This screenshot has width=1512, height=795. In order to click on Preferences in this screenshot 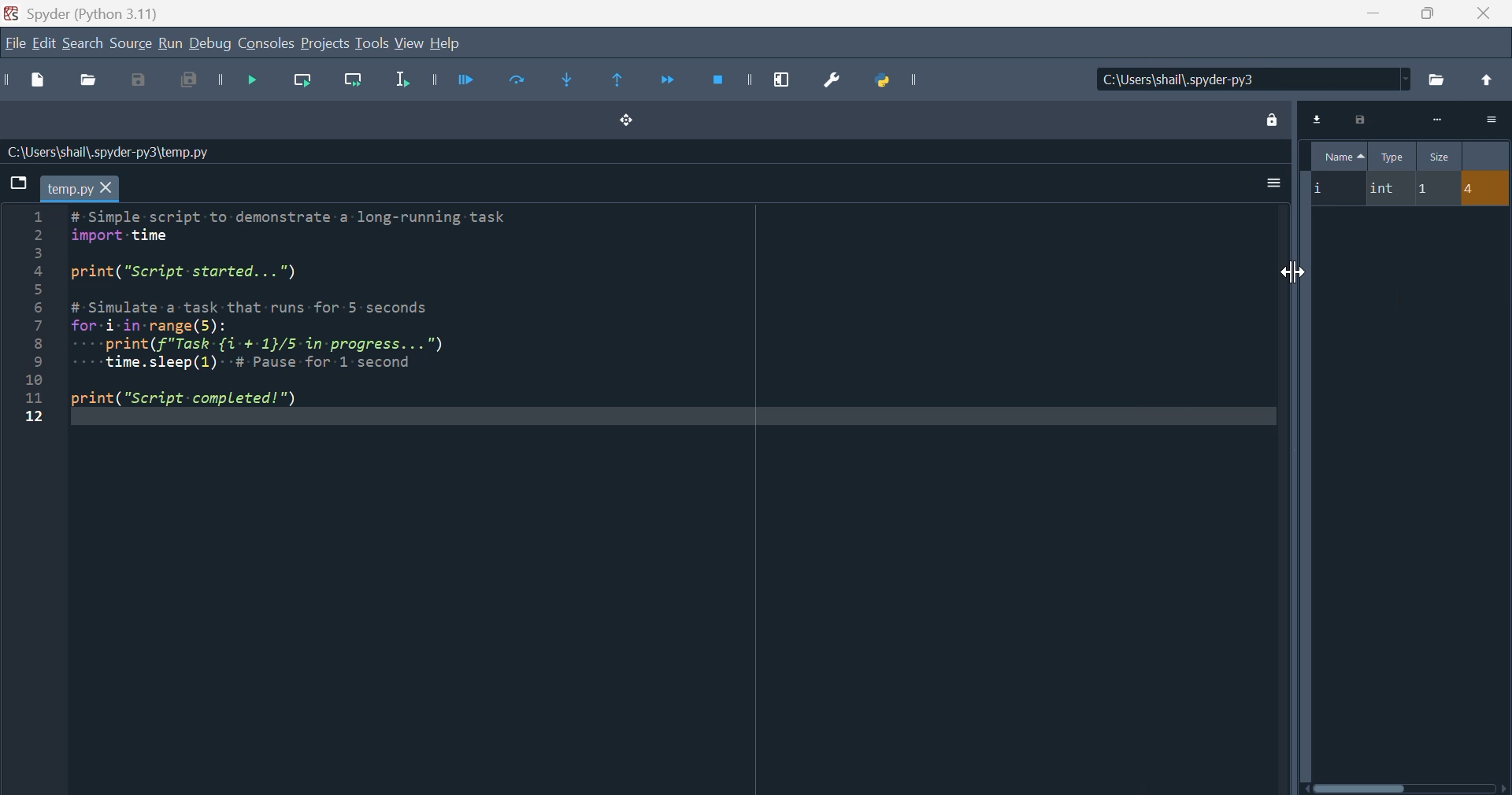, I will do `click(827, 81)`.